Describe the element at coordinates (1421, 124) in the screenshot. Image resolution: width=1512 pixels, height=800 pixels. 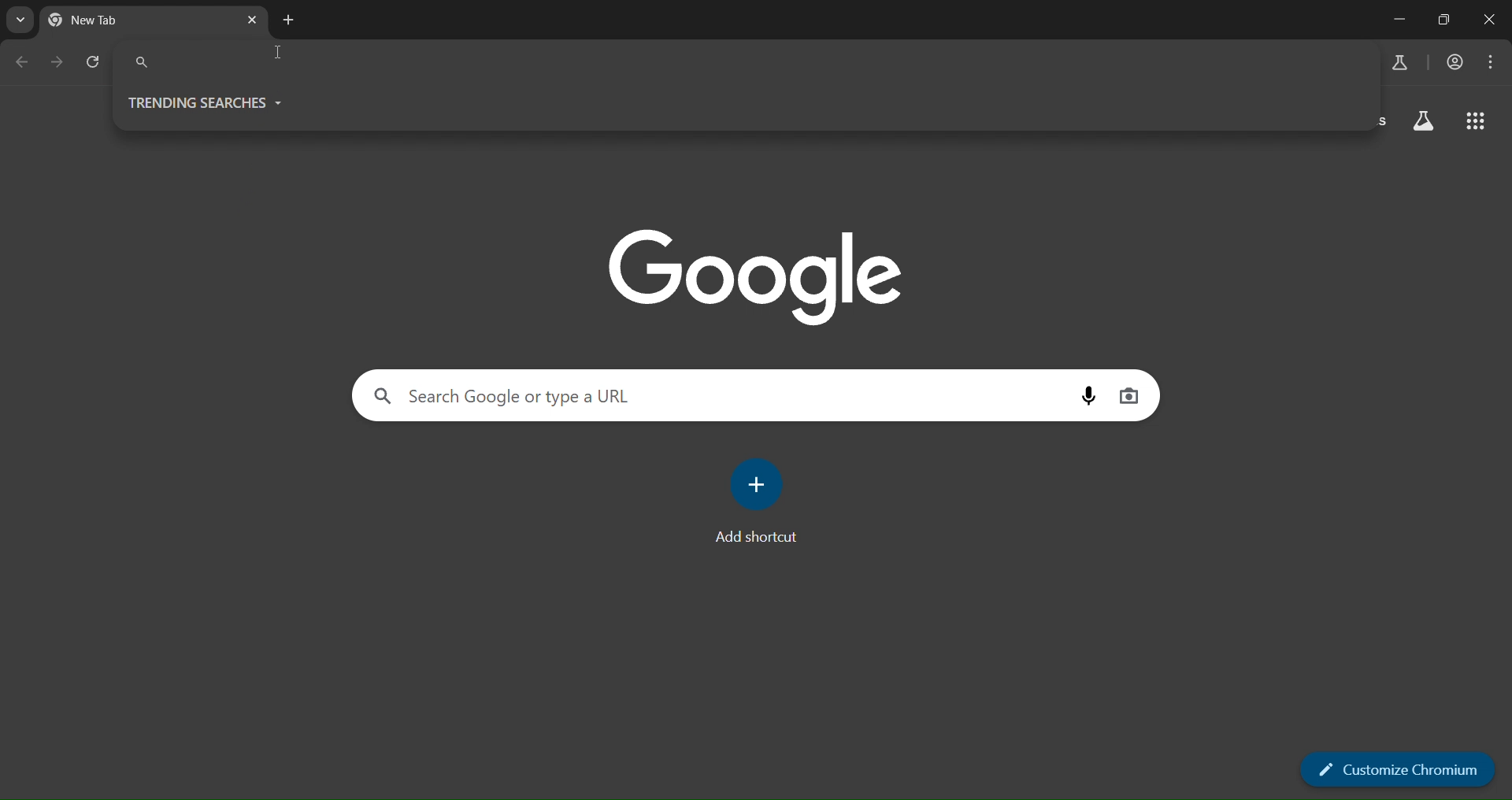
I see `search labs` at that location.